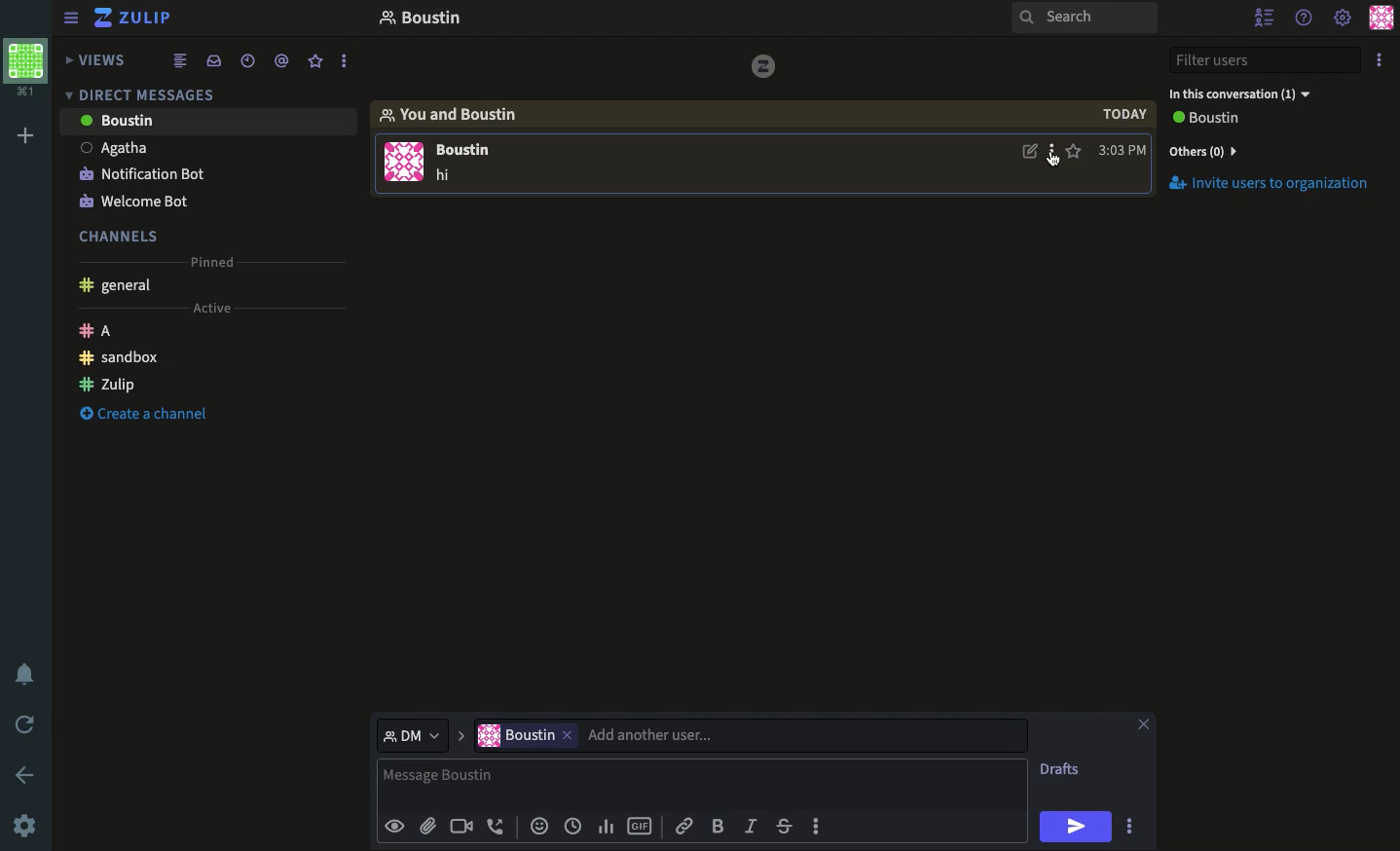  Describe the element at coordinates (21, 137) in the screenshot. I see `Add` at that location.